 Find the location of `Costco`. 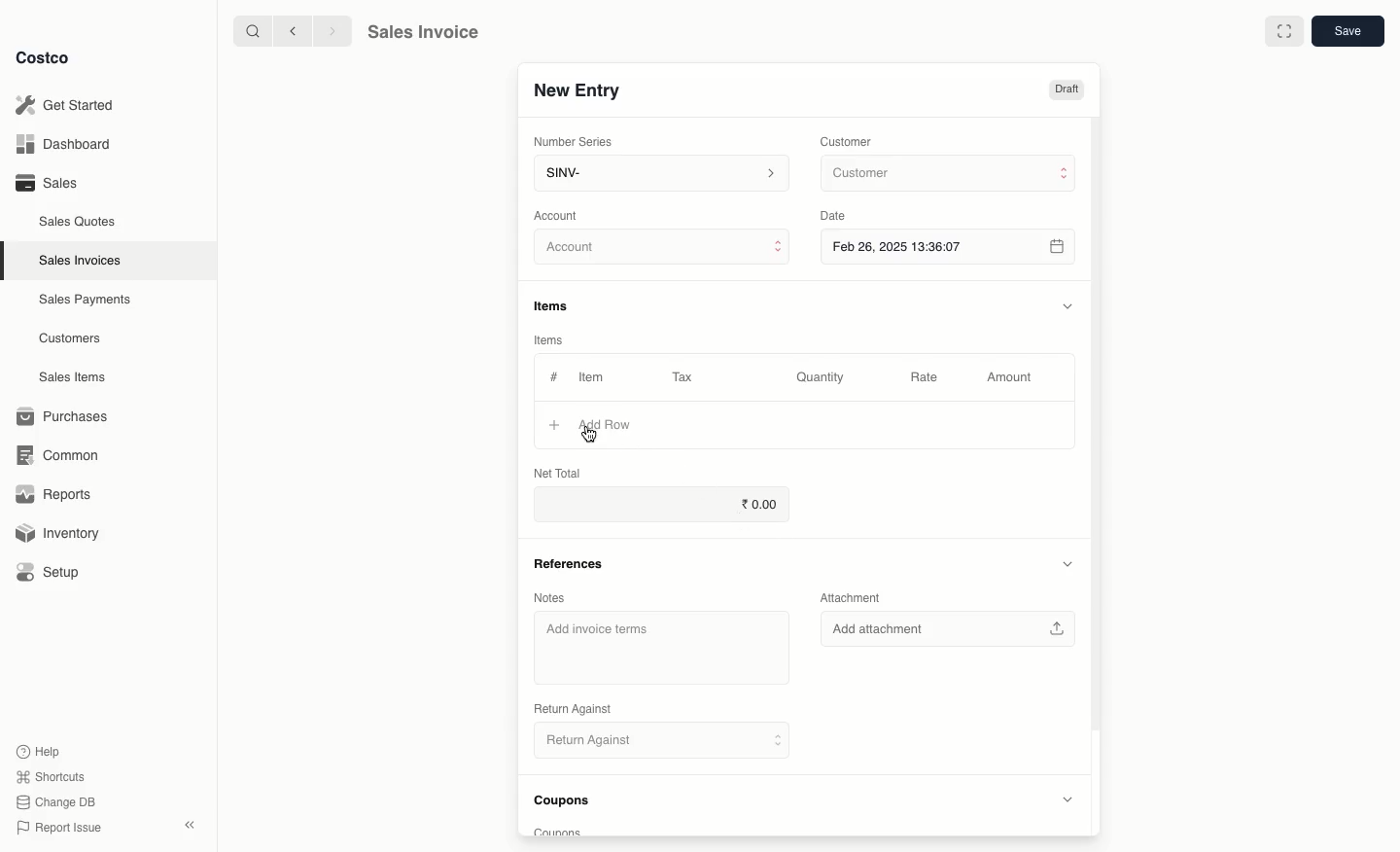

Costco is located at coordinates (48, 58).